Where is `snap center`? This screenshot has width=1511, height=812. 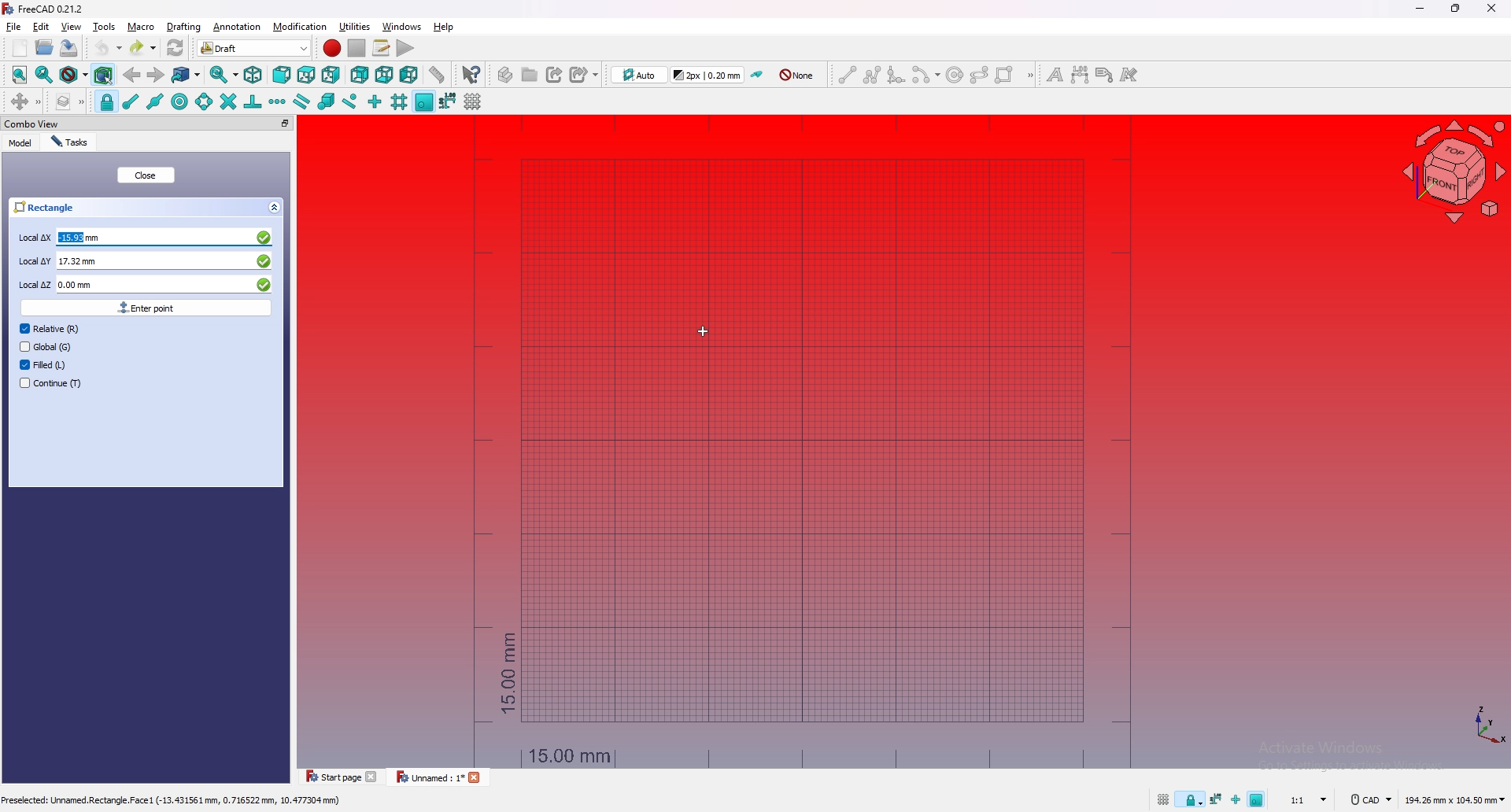
snap center is located at coordinates (179, 101).